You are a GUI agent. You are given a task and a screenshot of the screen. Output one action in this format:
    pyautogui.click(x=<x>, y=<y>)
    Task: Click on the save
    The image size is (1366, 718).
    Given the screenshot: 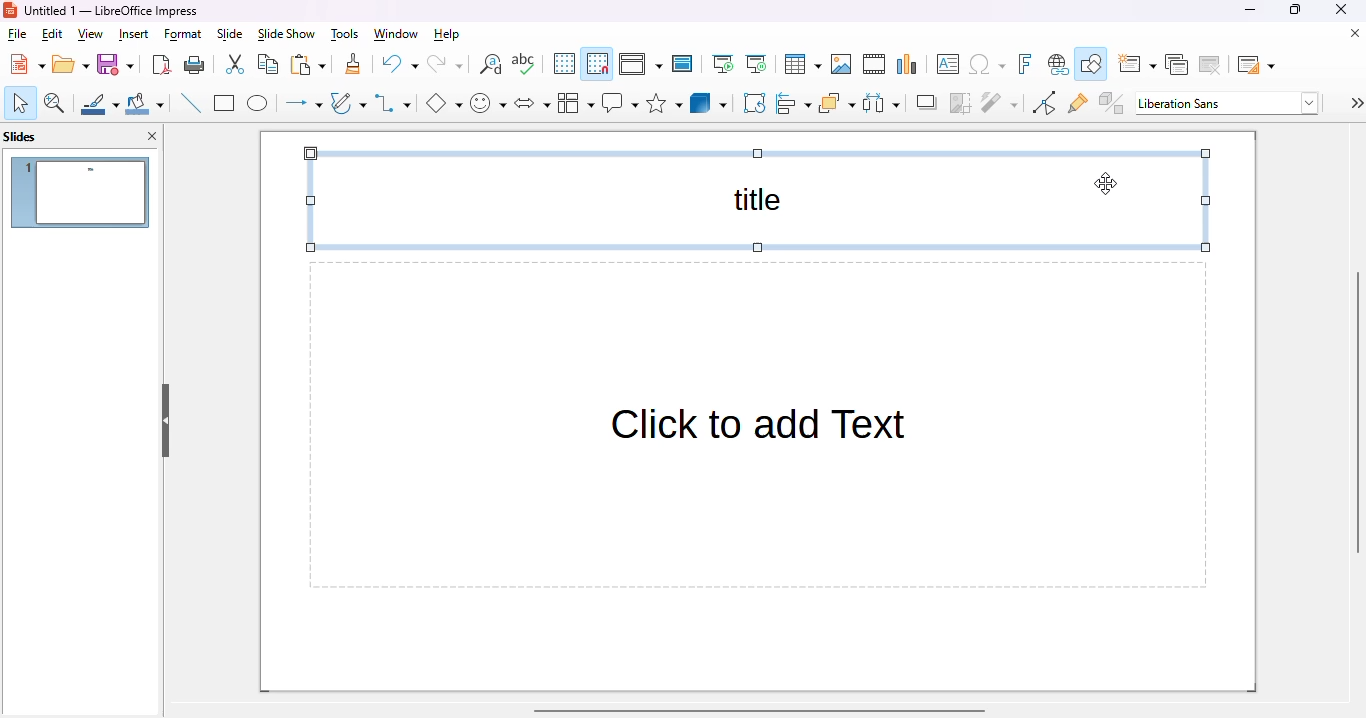 What is the action you would take?
    pyautogui.click(x=115, y=64)
    